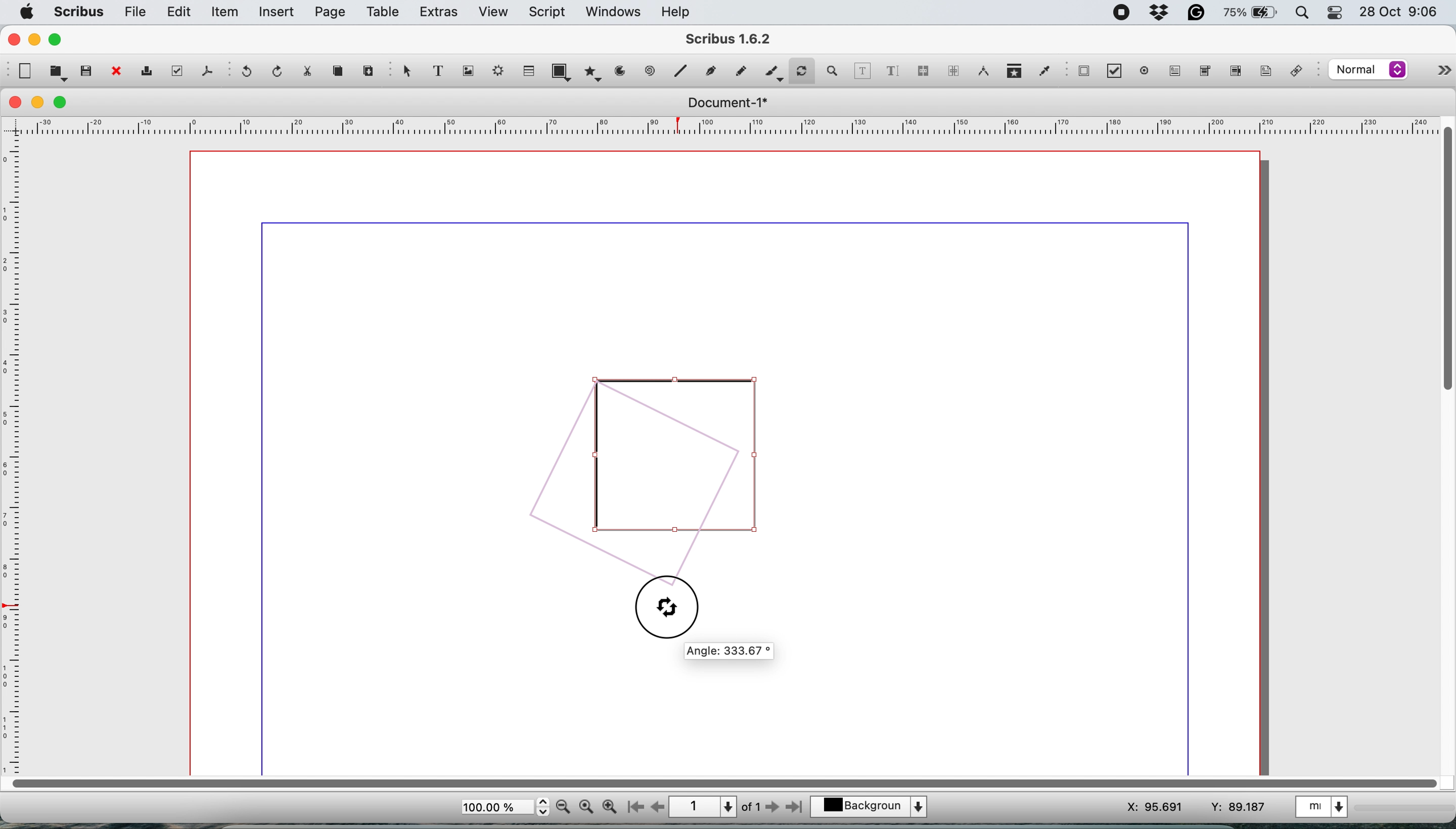 The height and width of the screenshot is (829, 1456). I want to click on more options, so click(1439, 68).